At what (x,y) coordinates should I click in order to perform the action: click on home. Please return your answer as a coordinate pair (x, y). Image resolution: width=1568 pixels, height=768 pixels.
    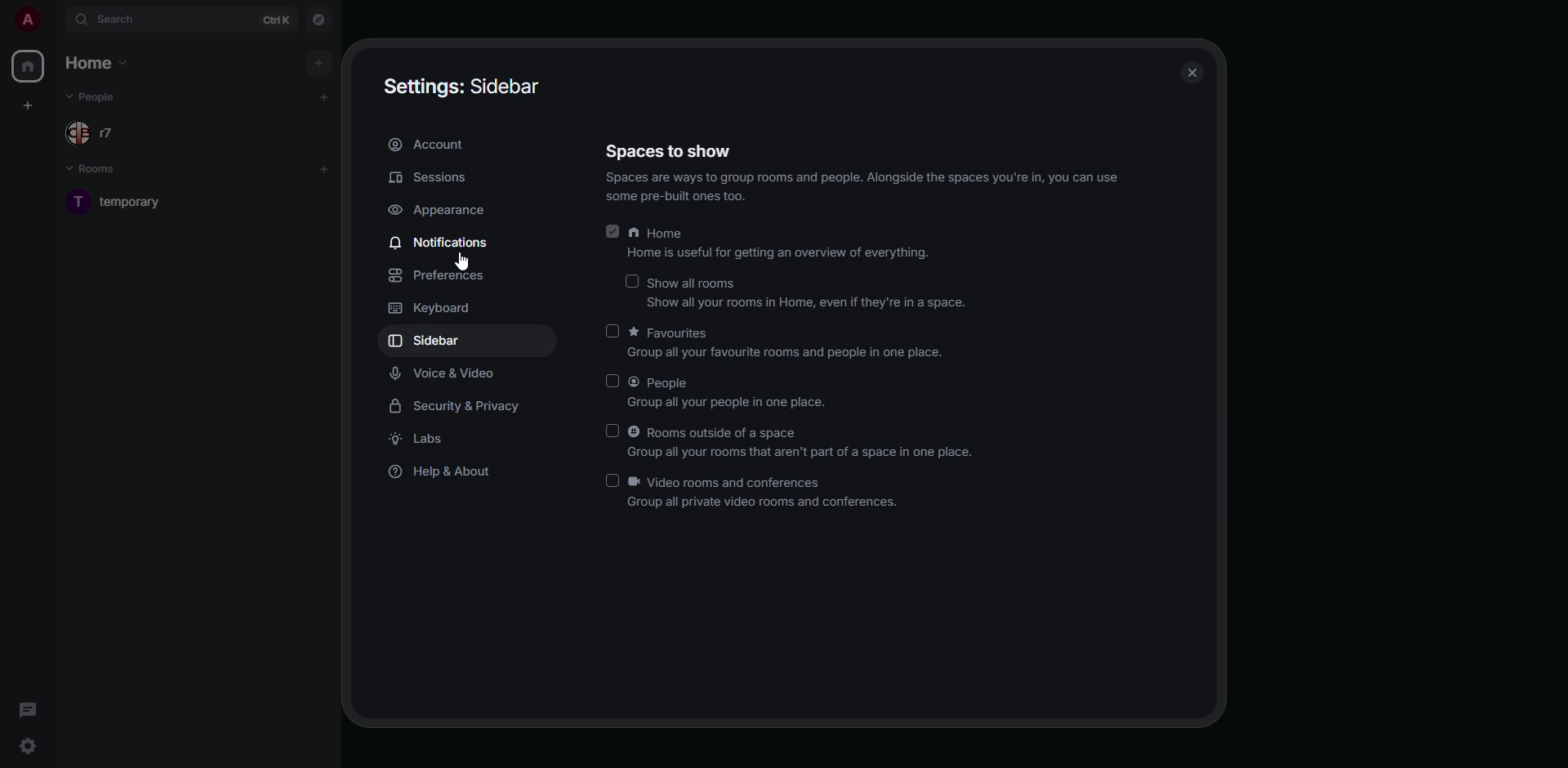
    Looking at the image, I should click on (104, 65).